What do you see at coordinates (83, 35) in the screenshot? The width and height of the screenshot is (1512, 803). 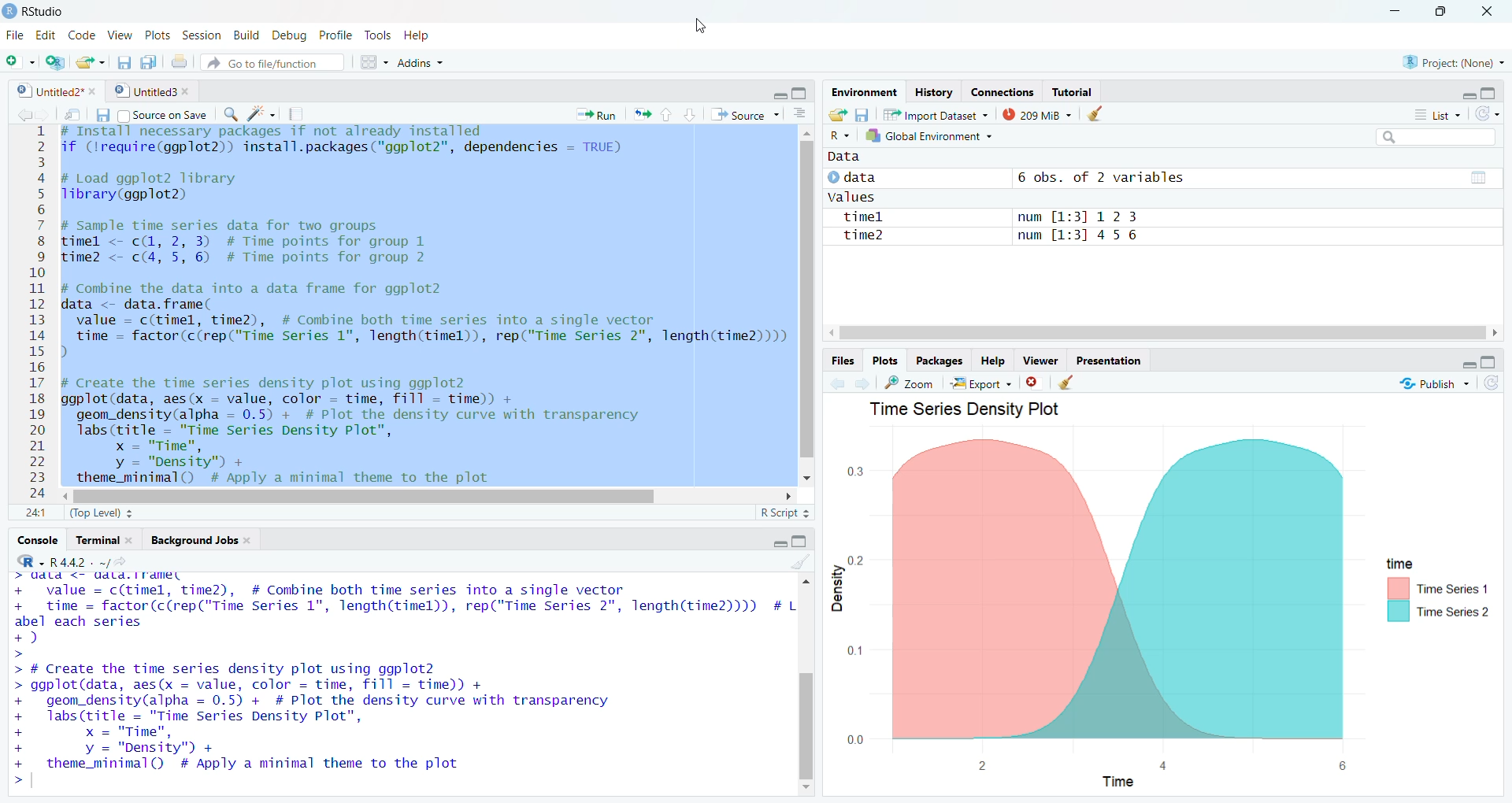 I see `Code` at bounding box center [83, 35].